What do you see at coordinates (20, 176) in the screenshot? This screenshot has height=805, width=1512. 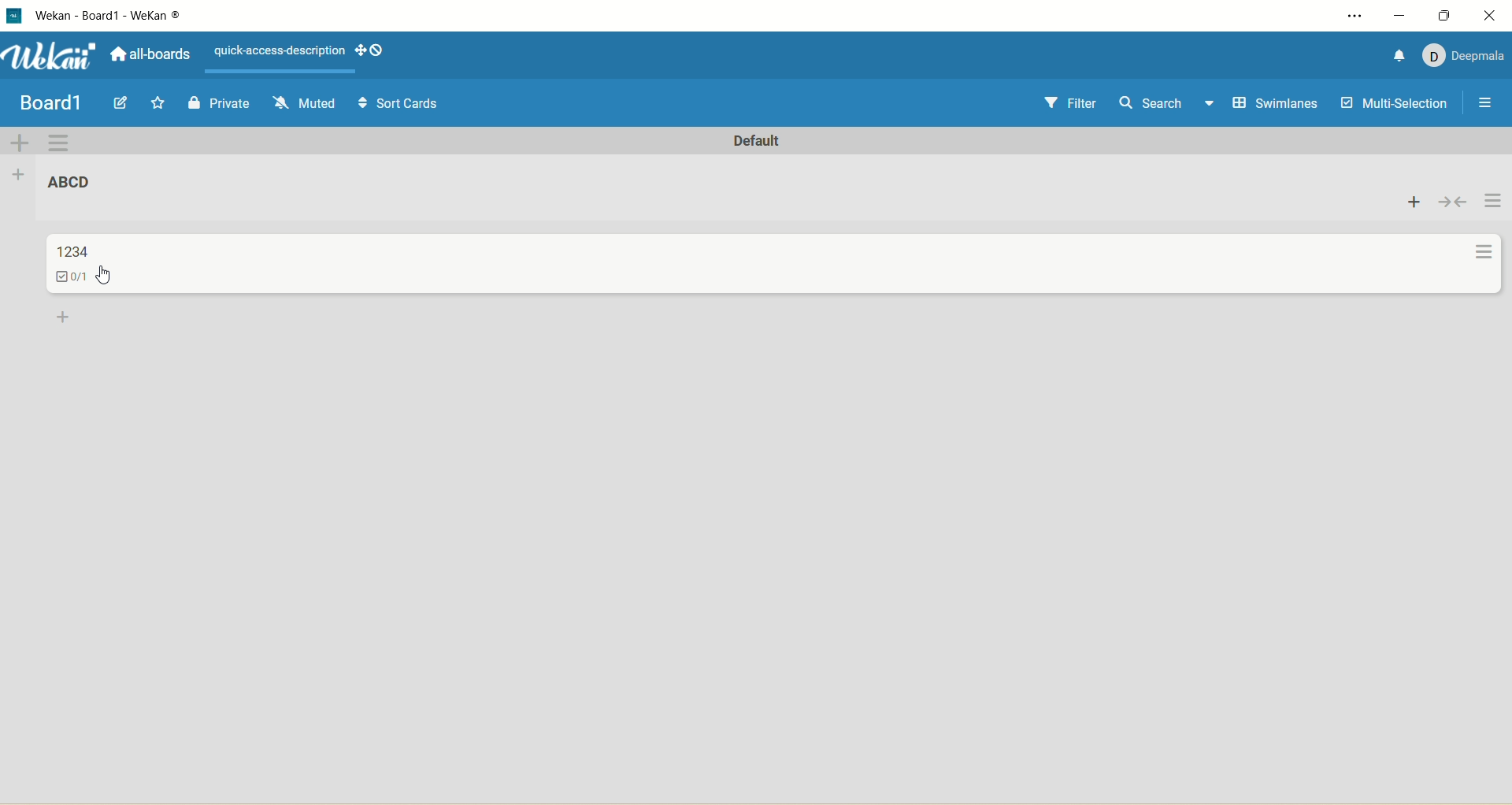 I see `add list` at bounding box center [20, 176].